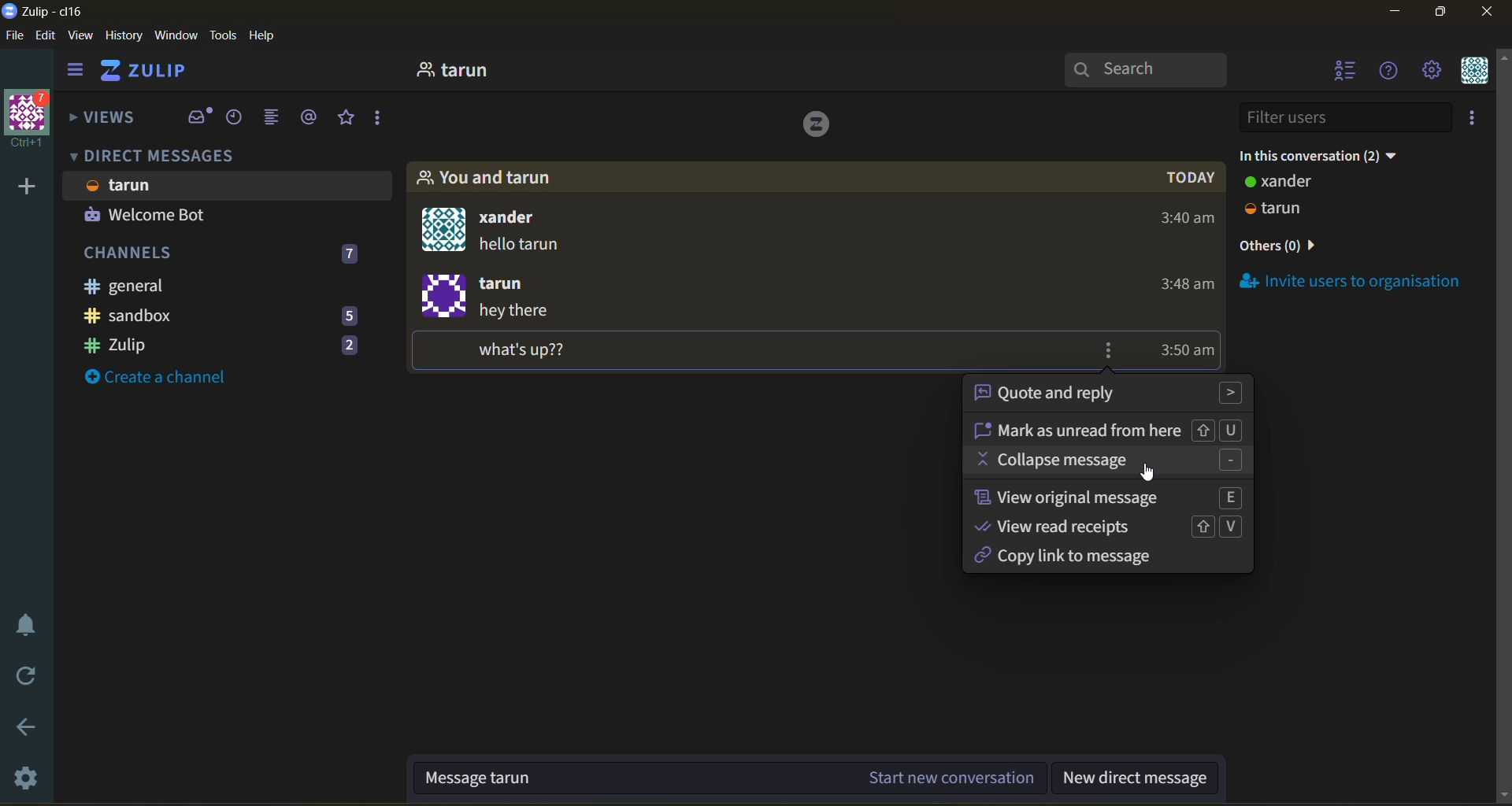 The image size is (1512, 806). I want to click on help menue, so click(1389, 71).